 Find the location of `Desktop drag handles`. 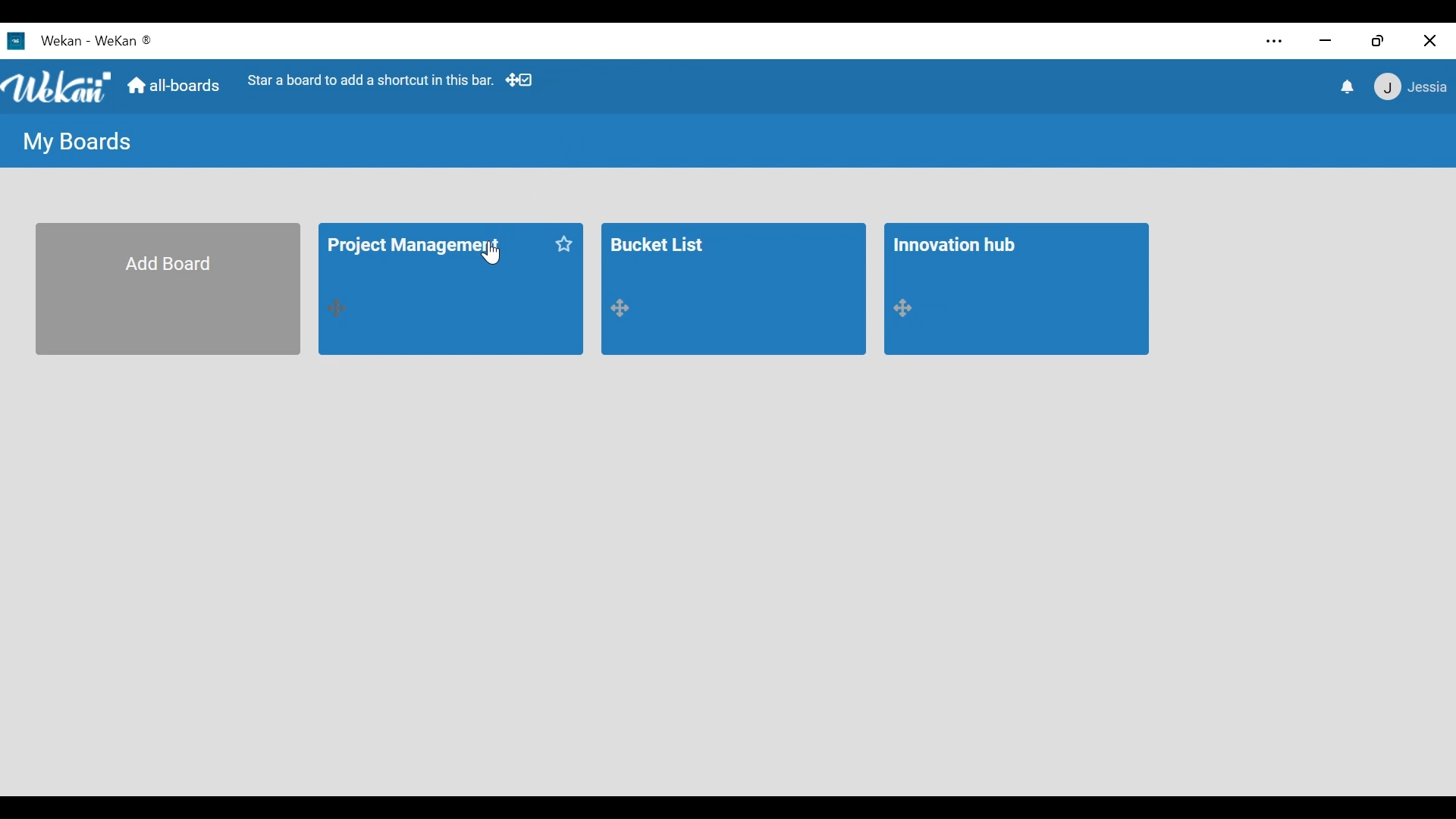

Desktop drag handles is located at coordinates (626, 309).